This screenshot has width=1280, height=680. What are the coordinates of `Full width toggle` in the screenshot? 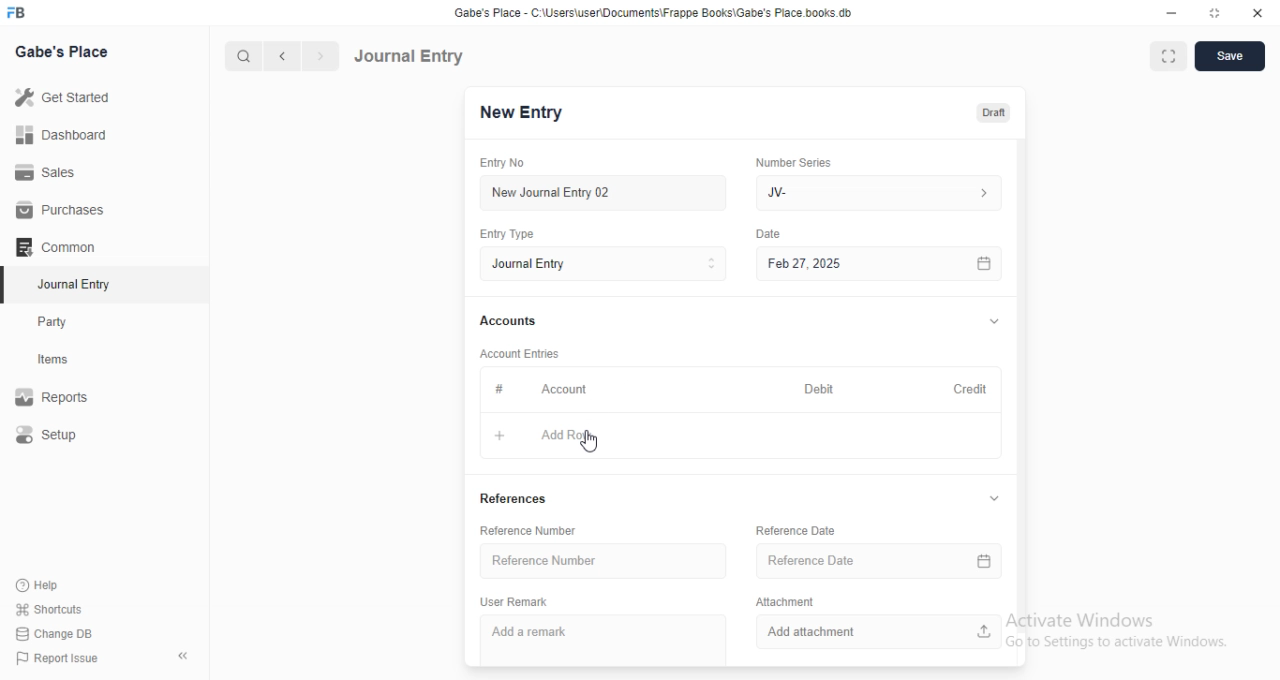 It's located at (1167, 57).